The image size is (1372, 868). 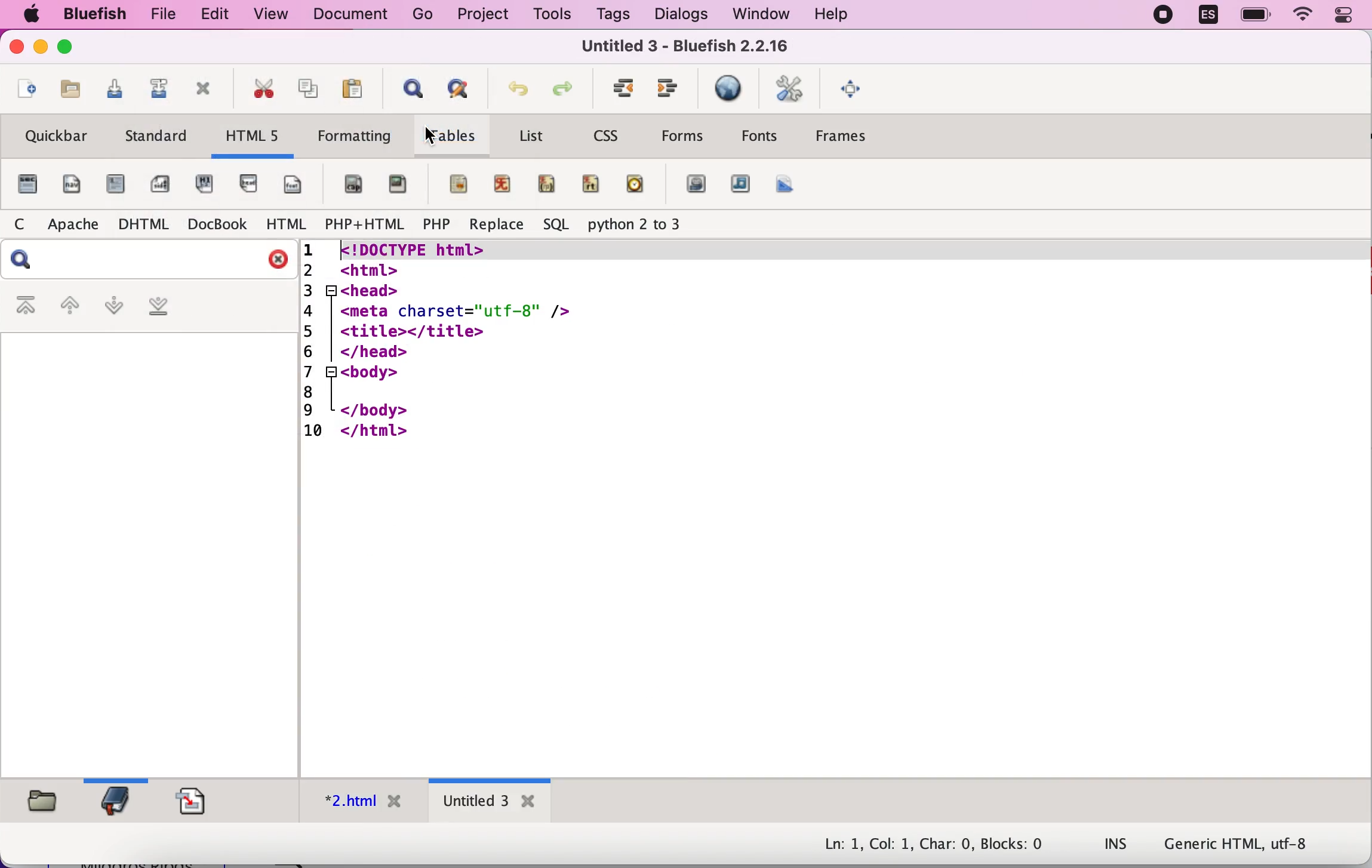 I want to click on project, so click(x=482, y=15).